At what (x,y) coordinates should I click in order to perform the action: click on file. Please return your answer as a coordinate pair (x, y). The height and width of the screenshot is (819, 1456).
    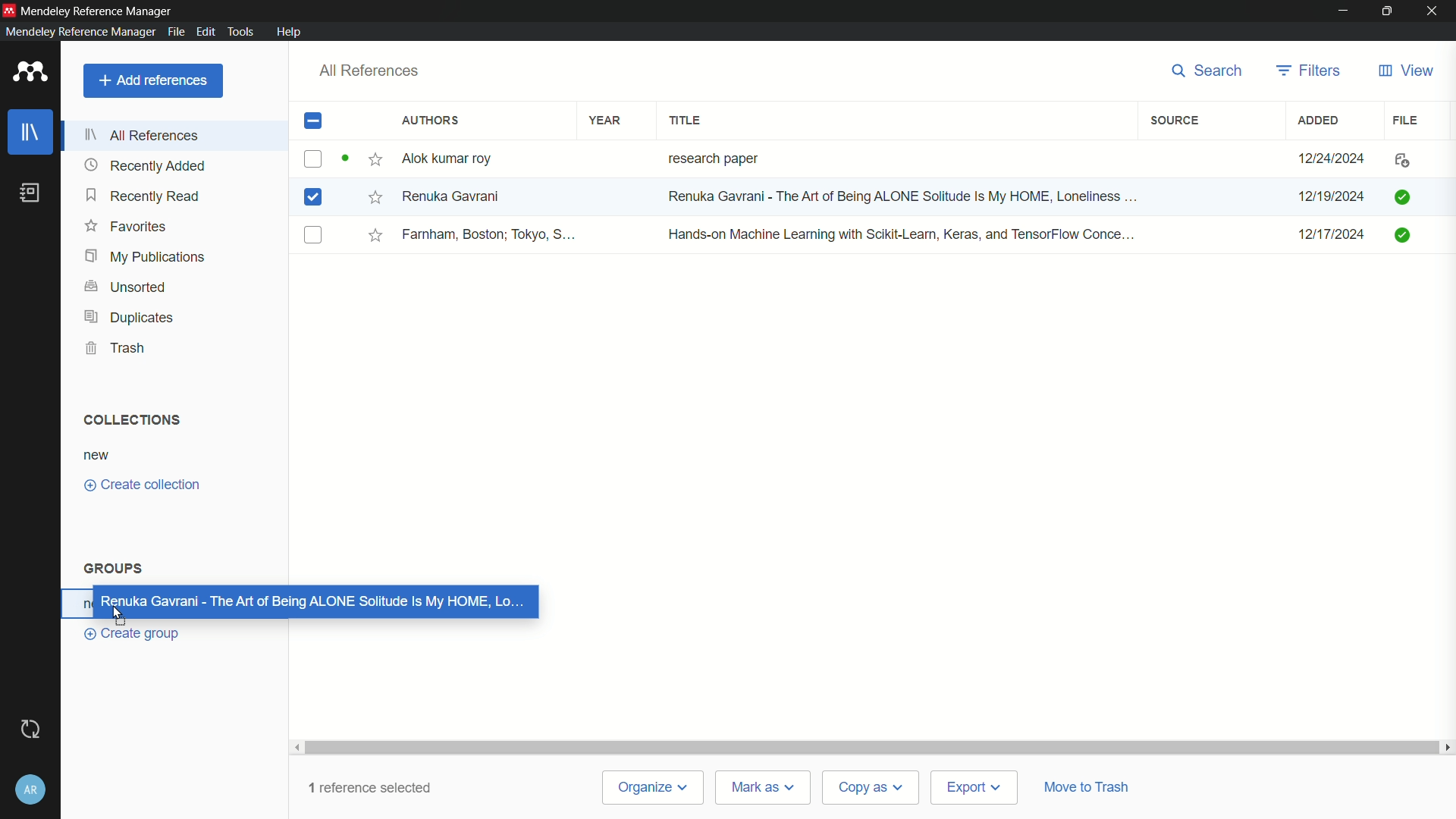
    Looking at the image, I should click on (1407, 119).